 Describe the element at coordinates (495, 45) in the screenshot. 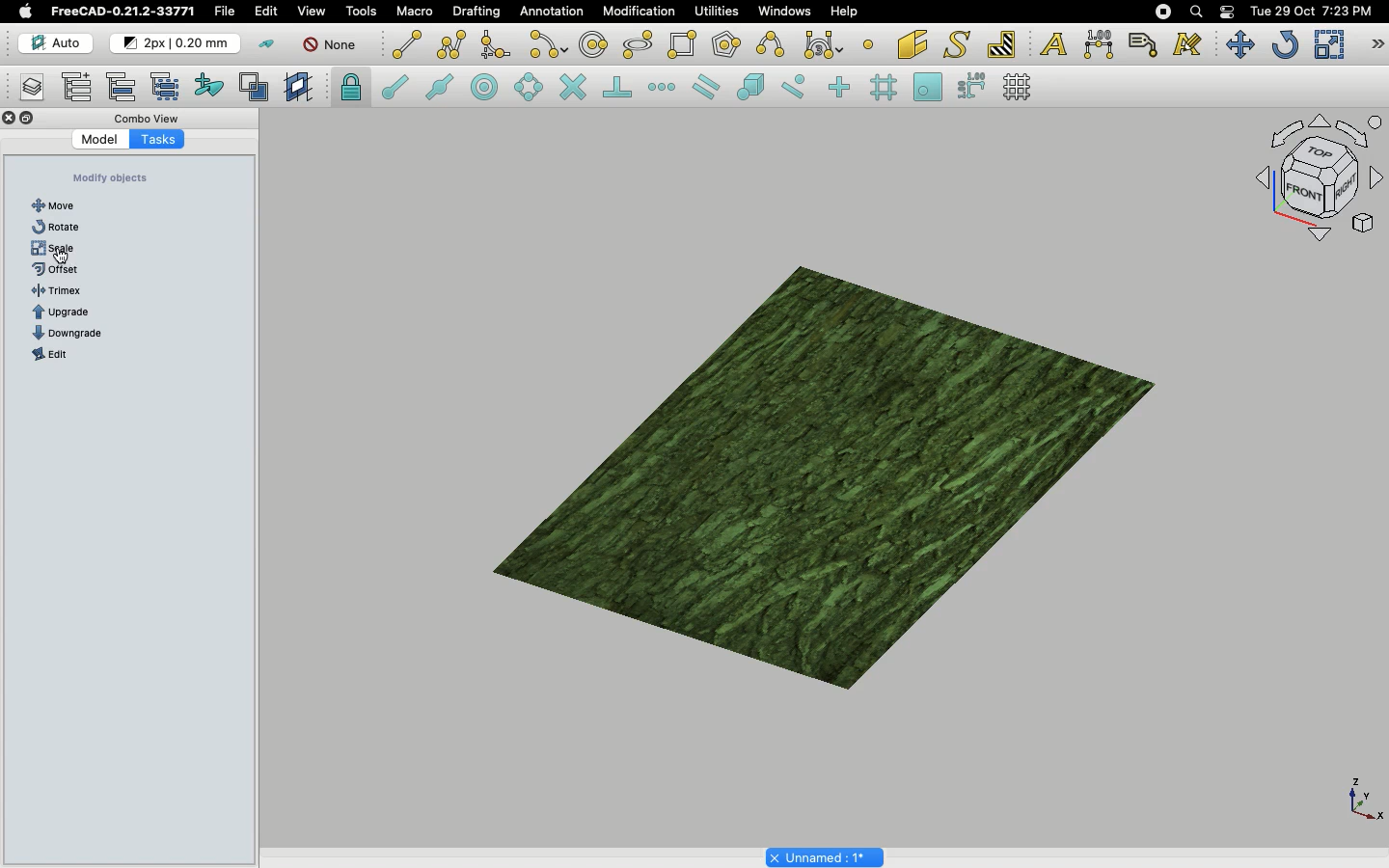

I see `Fillet` at that location.